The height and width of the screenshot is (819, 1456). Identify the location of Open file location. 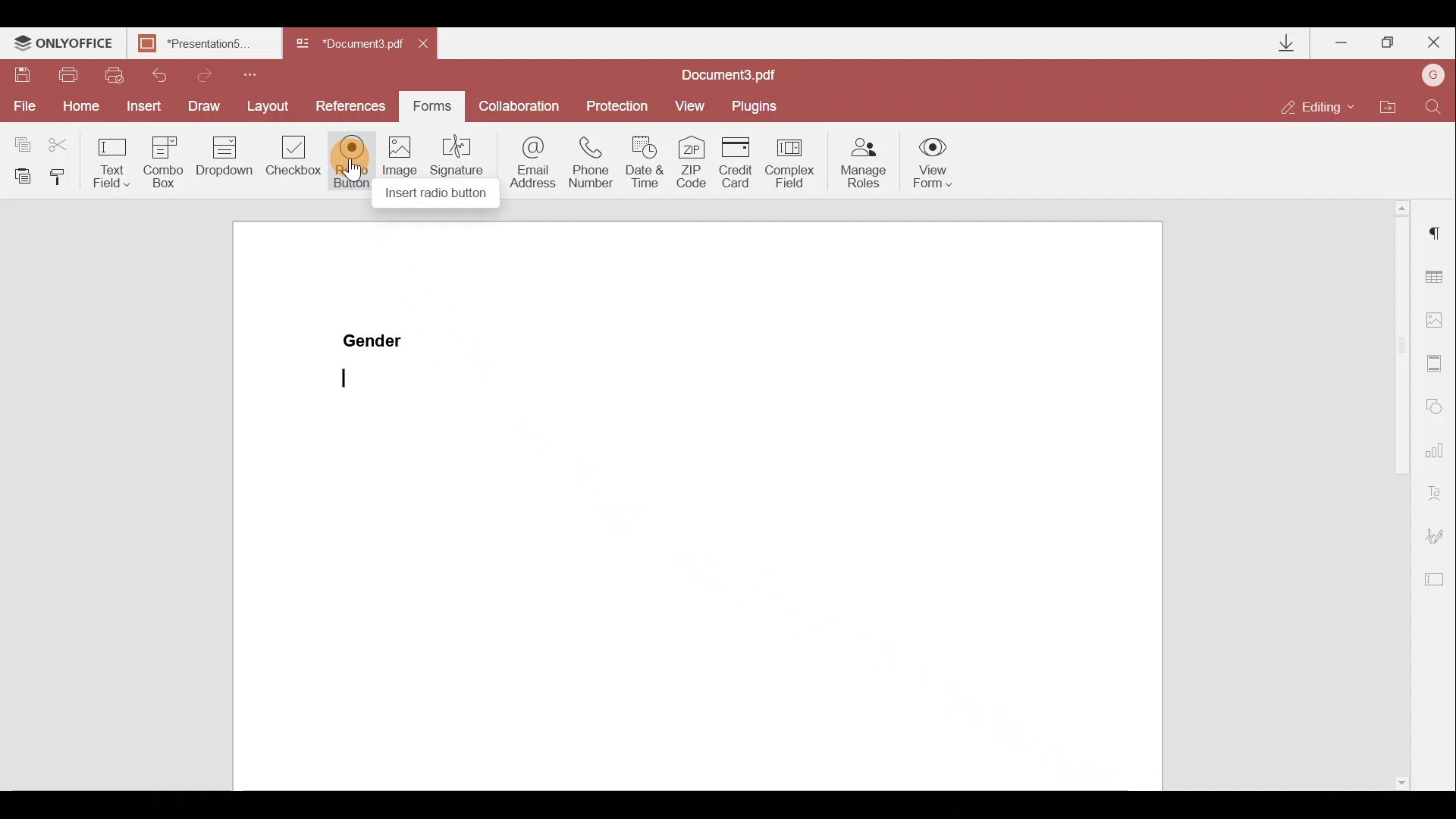
(1395, 105).